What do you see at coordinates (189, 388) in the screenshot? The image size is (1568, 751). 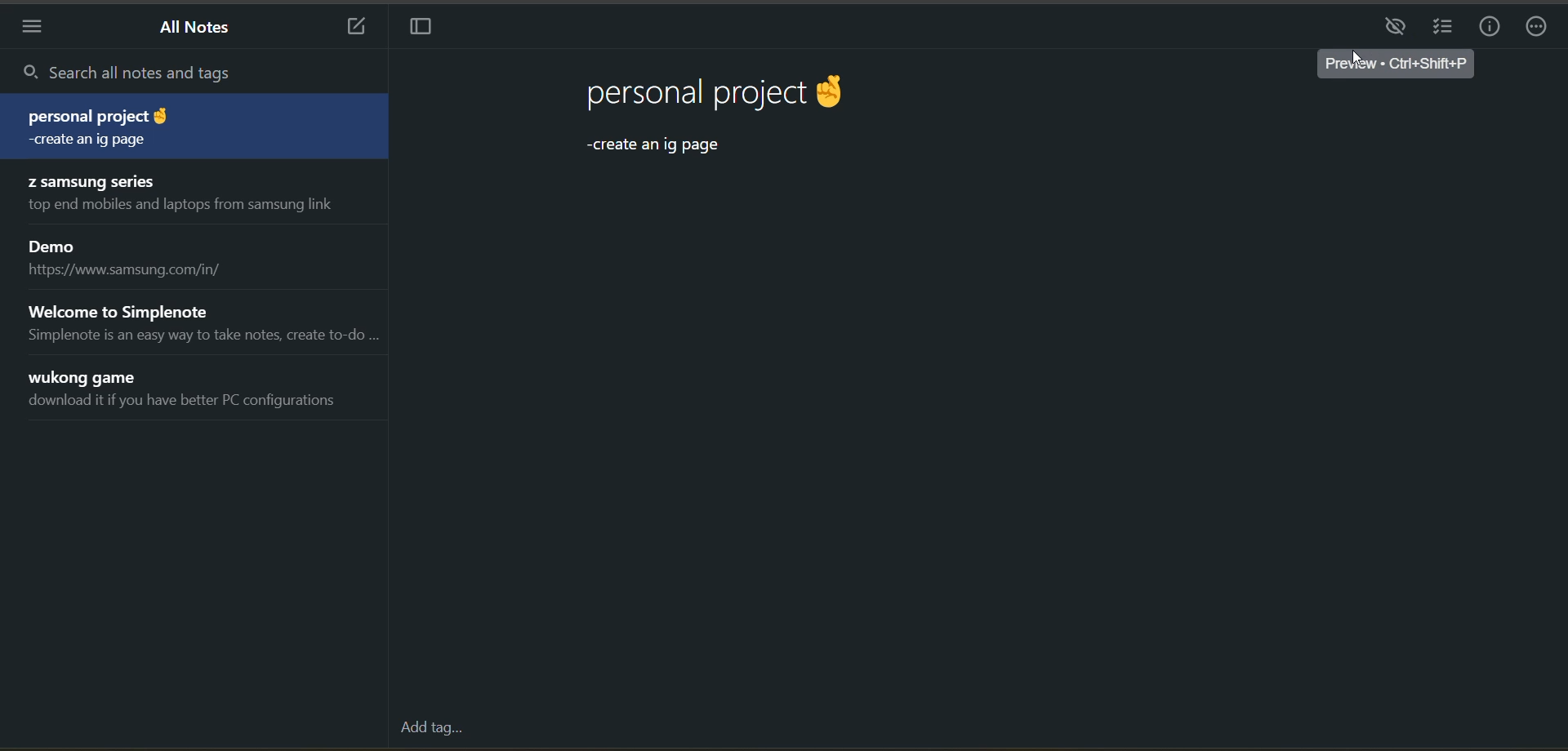 I see `note title and preview` at bounding box center [189, 388].